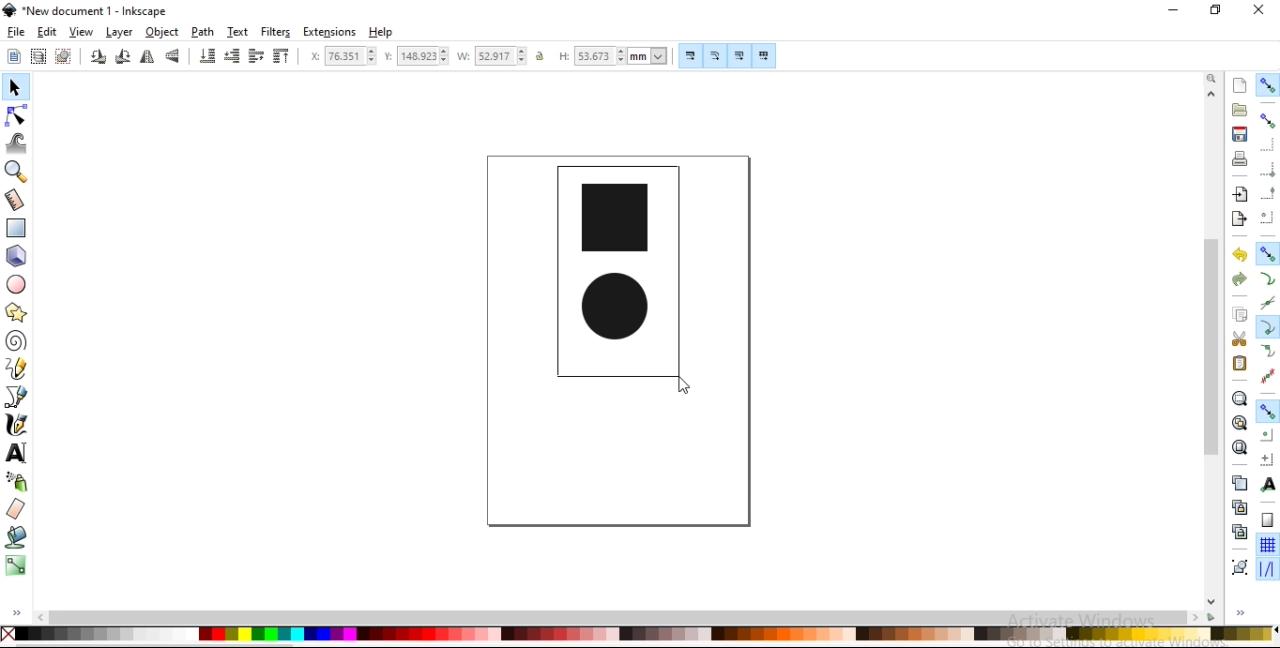 This screenshot has height=648, width=1280. Describe the element at coordinates (1258, 10) in the screenshot. I see `close` at that location.